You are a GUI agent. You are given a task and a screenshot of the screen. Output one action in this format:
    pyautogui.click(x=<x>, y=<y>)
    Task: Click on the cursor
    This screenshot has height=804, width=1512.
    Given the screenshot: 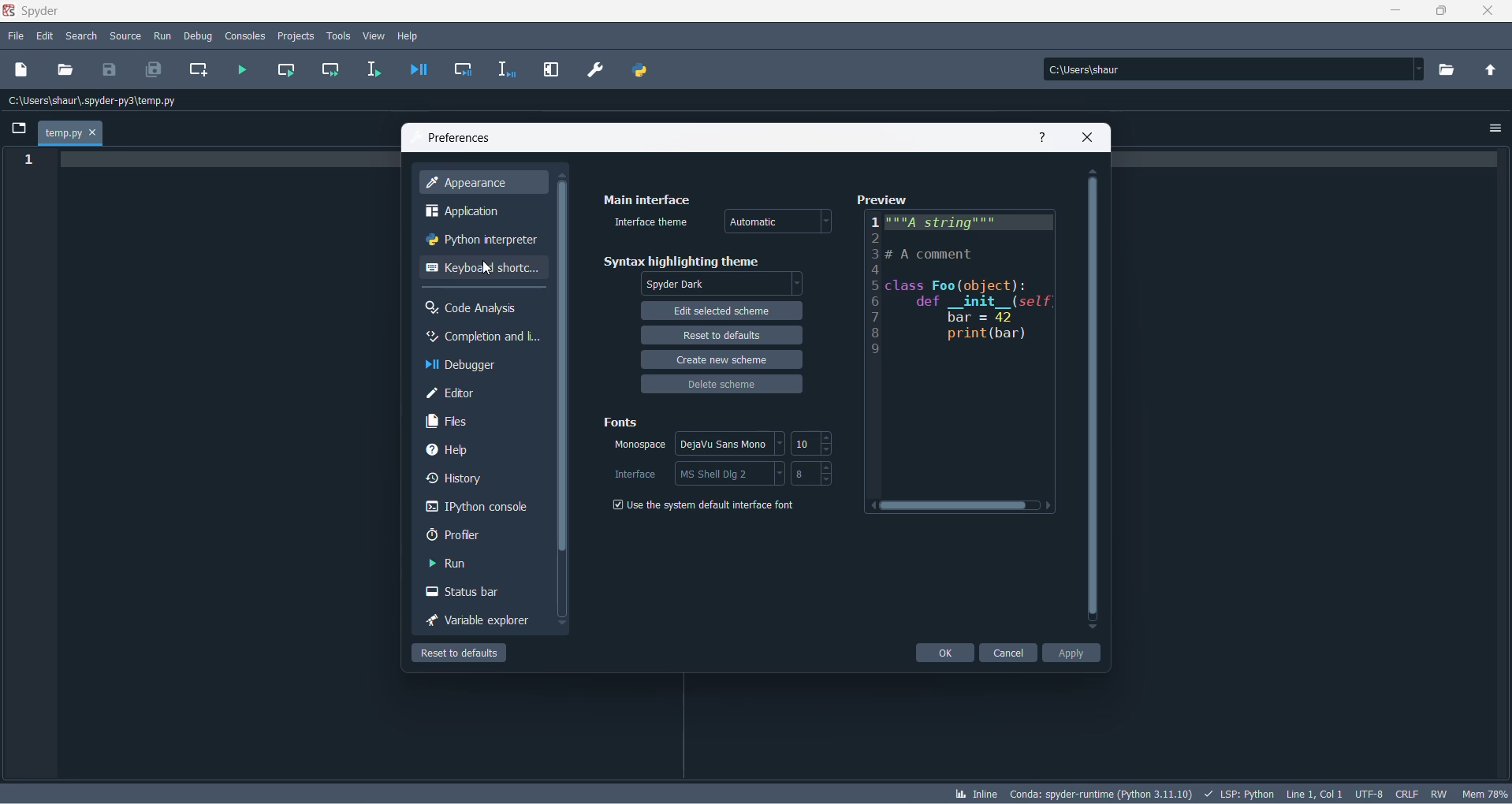 What is the action you would take?
    pyautogui.click(x=487, y=267)
    